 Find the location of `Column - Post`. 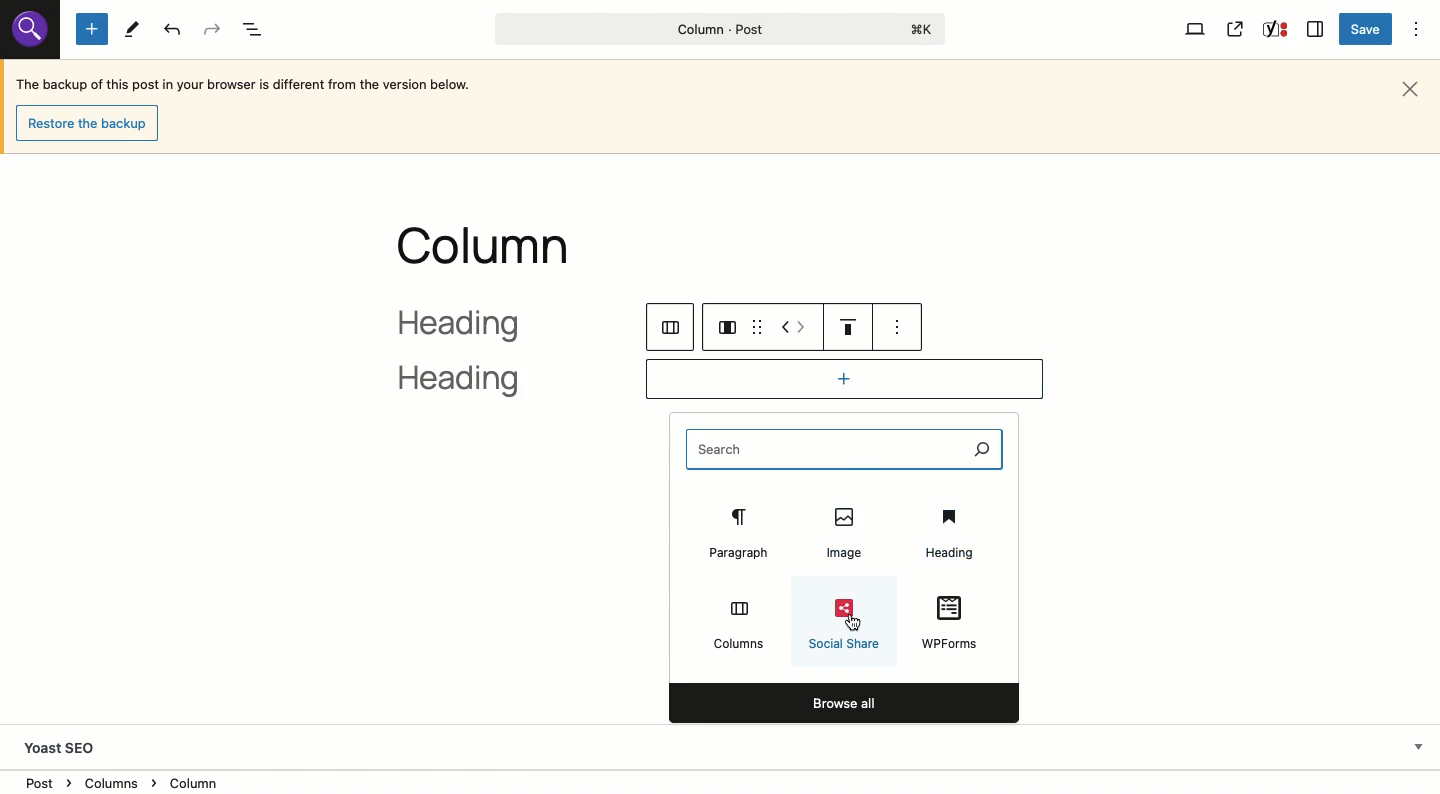

Column - Post is located at coordinates (715, 29).